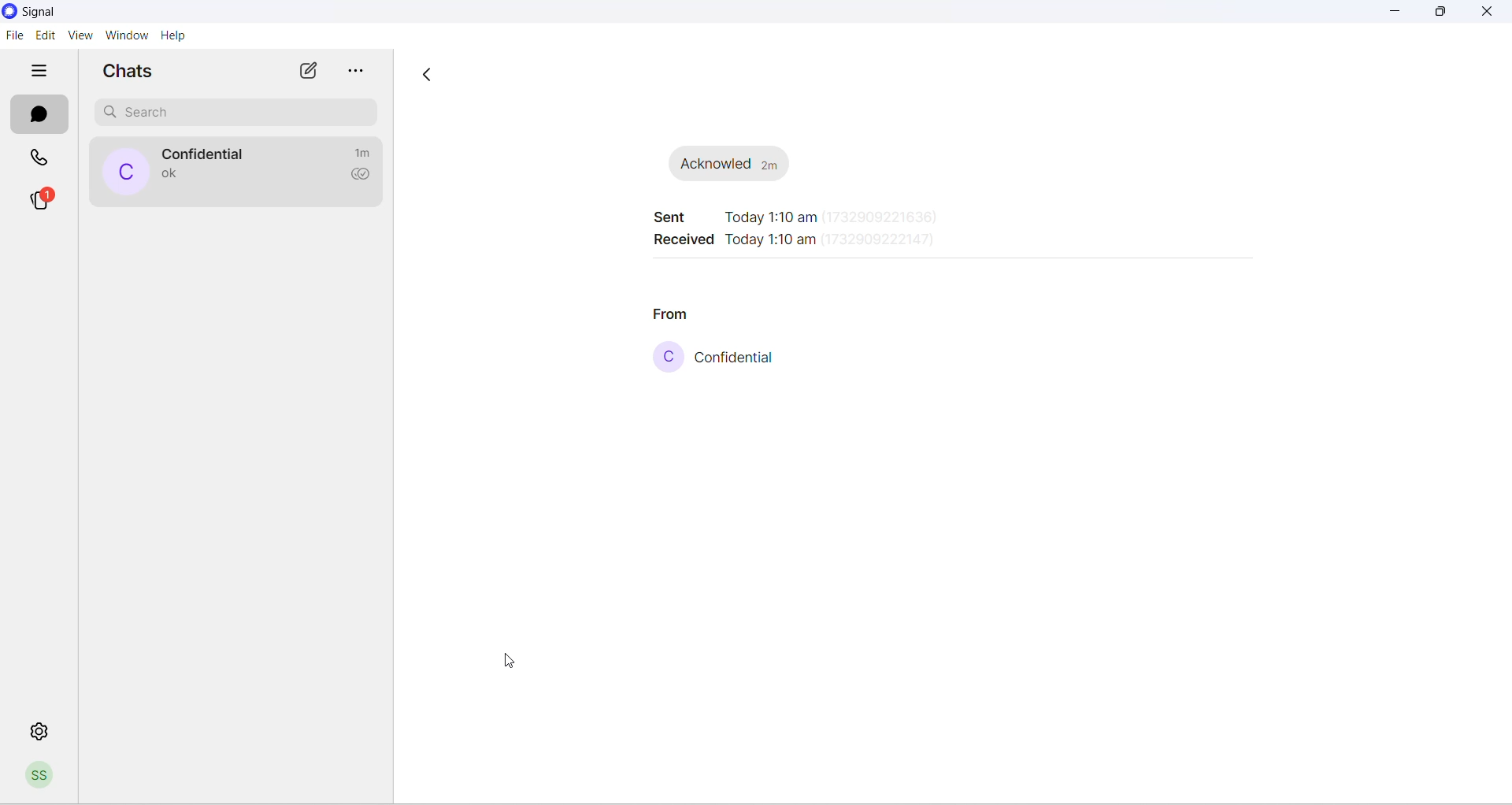 The width and height of the screenshot is (1512, 805). I want to click on edit, so click(44, 35).